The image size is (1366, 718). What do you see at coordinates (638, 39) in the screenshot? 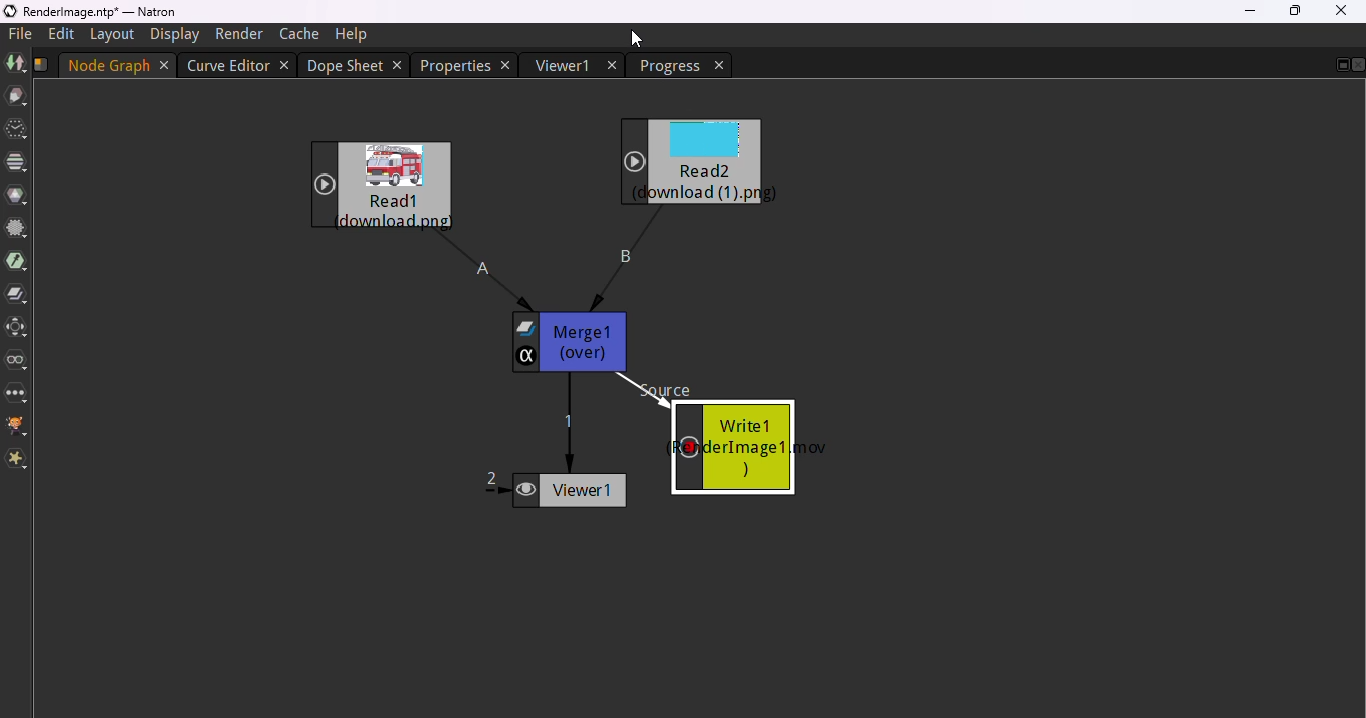
I see `cursor` at bounding box center [638, 39].